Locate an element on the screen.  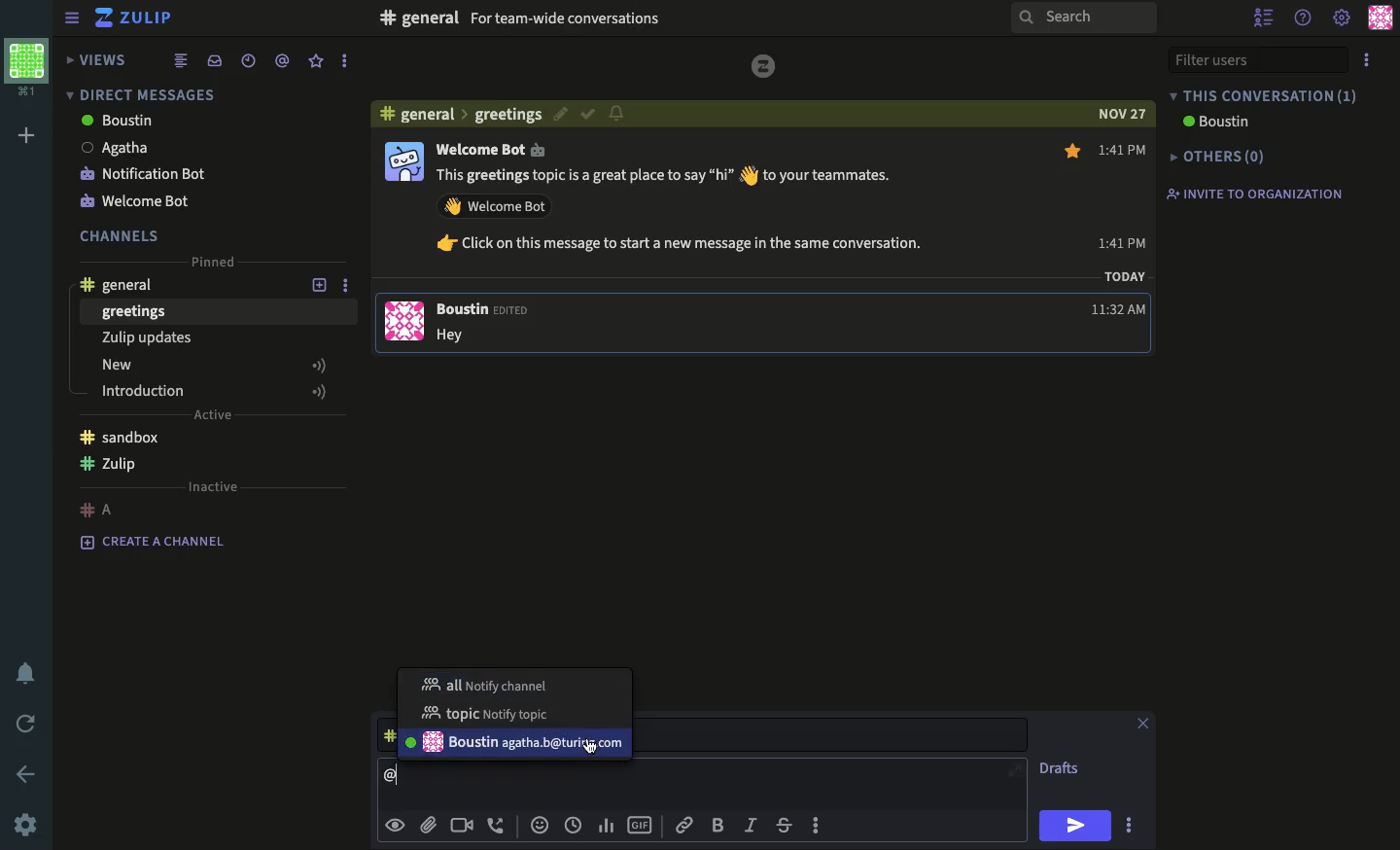
italics is located at coordinates (751, 826).